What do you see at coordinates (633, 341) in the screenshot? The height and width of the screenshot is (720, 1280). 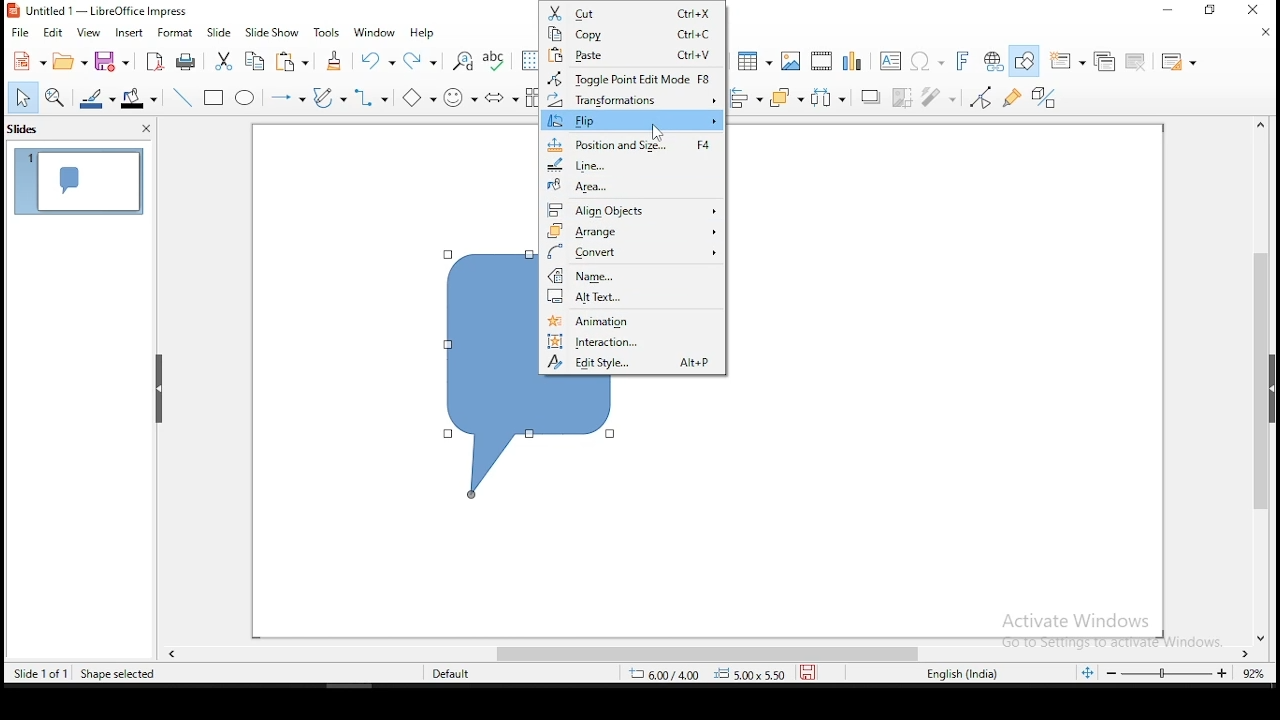 I see `interaction` at bounding box center [633, 341].